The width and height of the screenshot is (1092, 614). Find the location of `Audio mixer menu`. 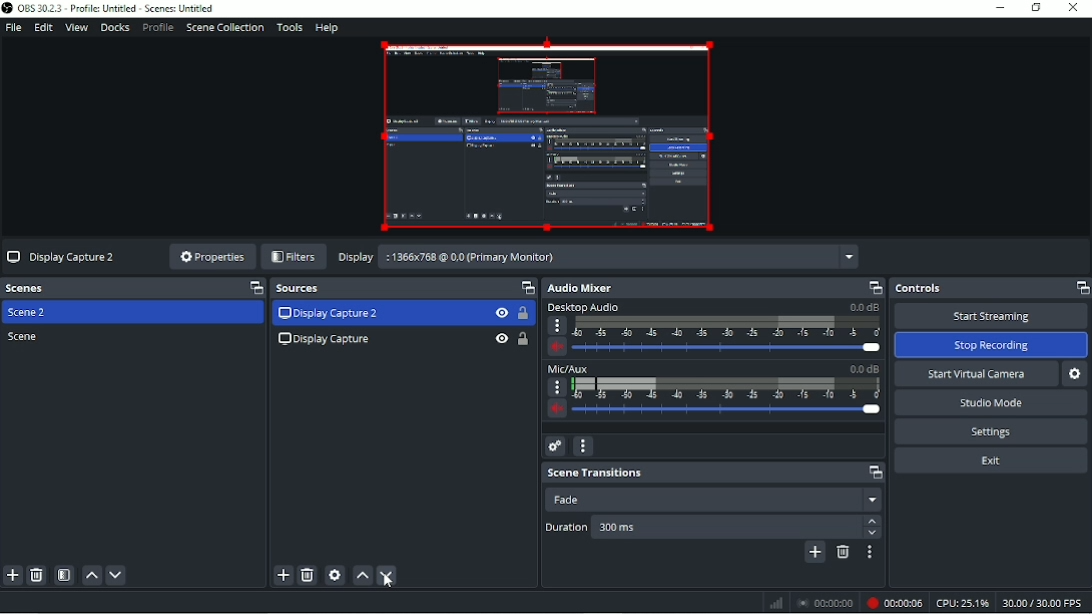

Audio mixer menu is located at coordinates (583, 445).